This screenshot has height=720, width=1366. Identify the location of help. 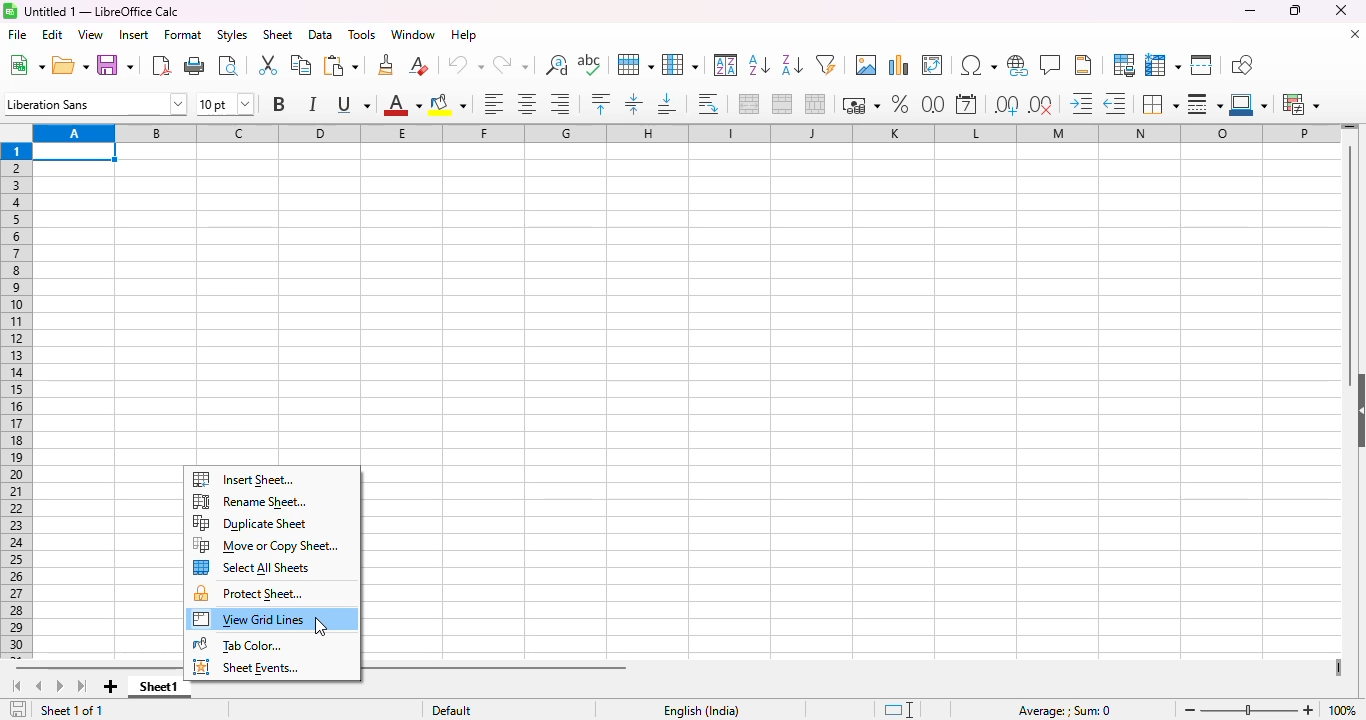
(464, 35).